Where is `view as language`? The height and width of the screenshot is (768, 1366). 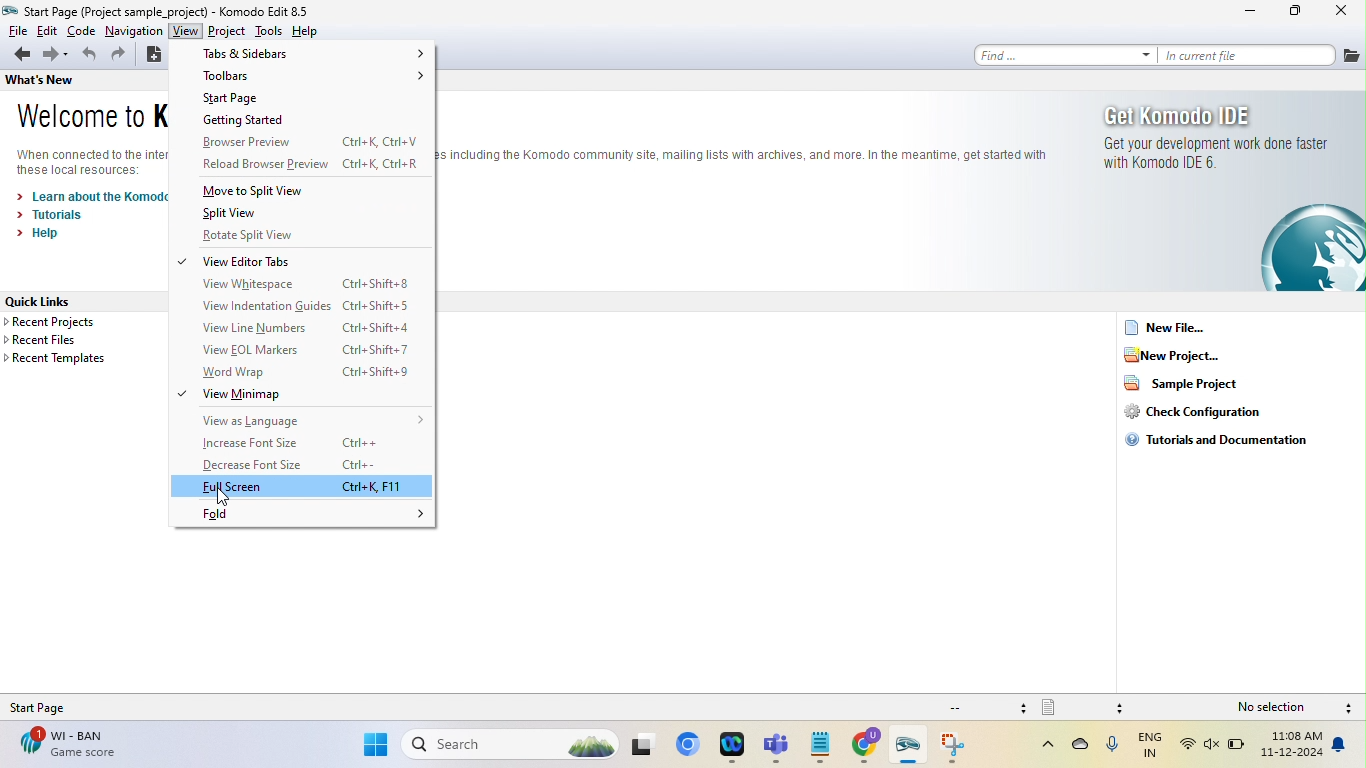
view as language is located at coordinates (313, 420).